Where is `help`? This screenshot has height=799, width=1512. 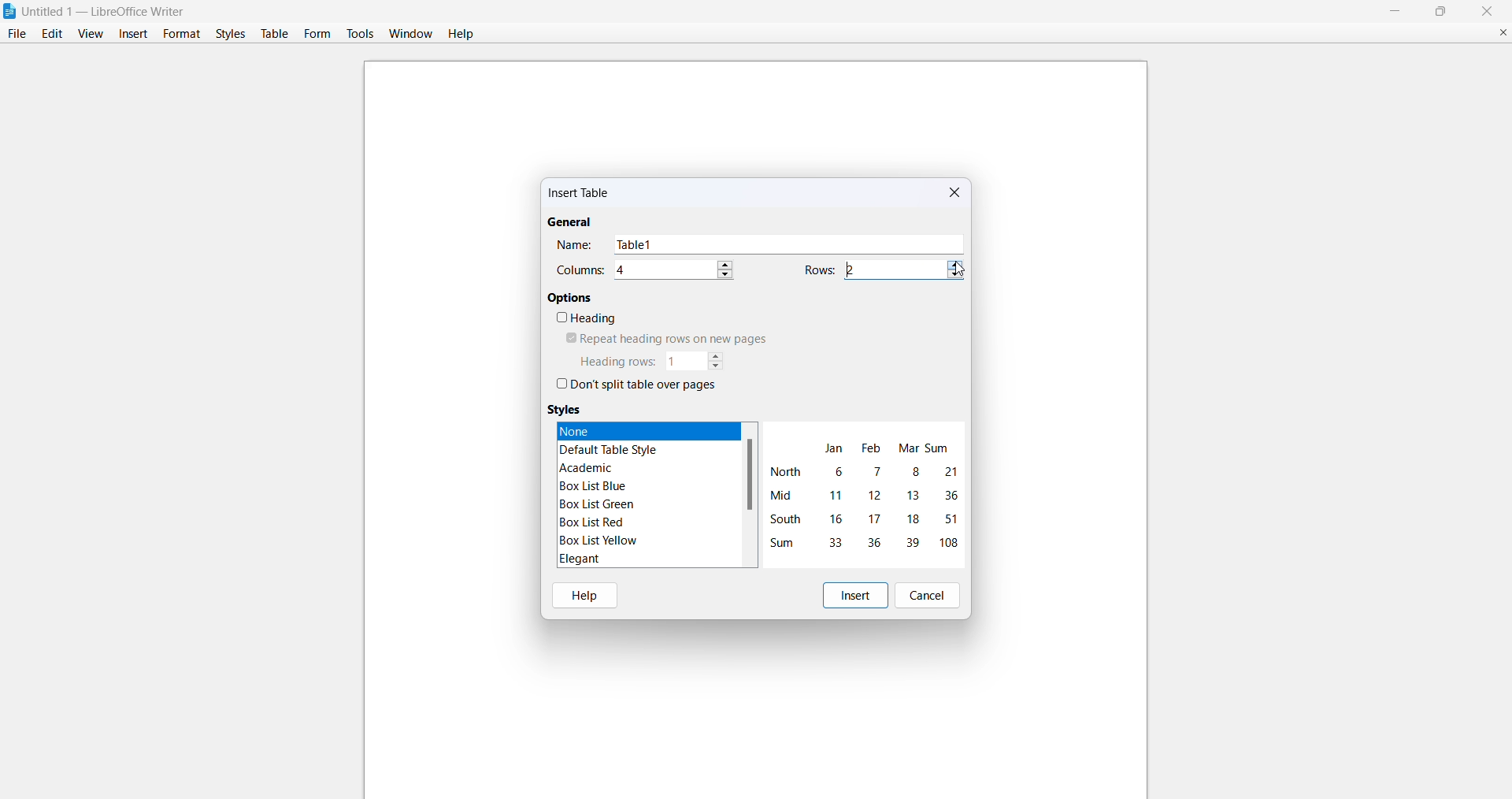 help is located at coordinates (463, 33).